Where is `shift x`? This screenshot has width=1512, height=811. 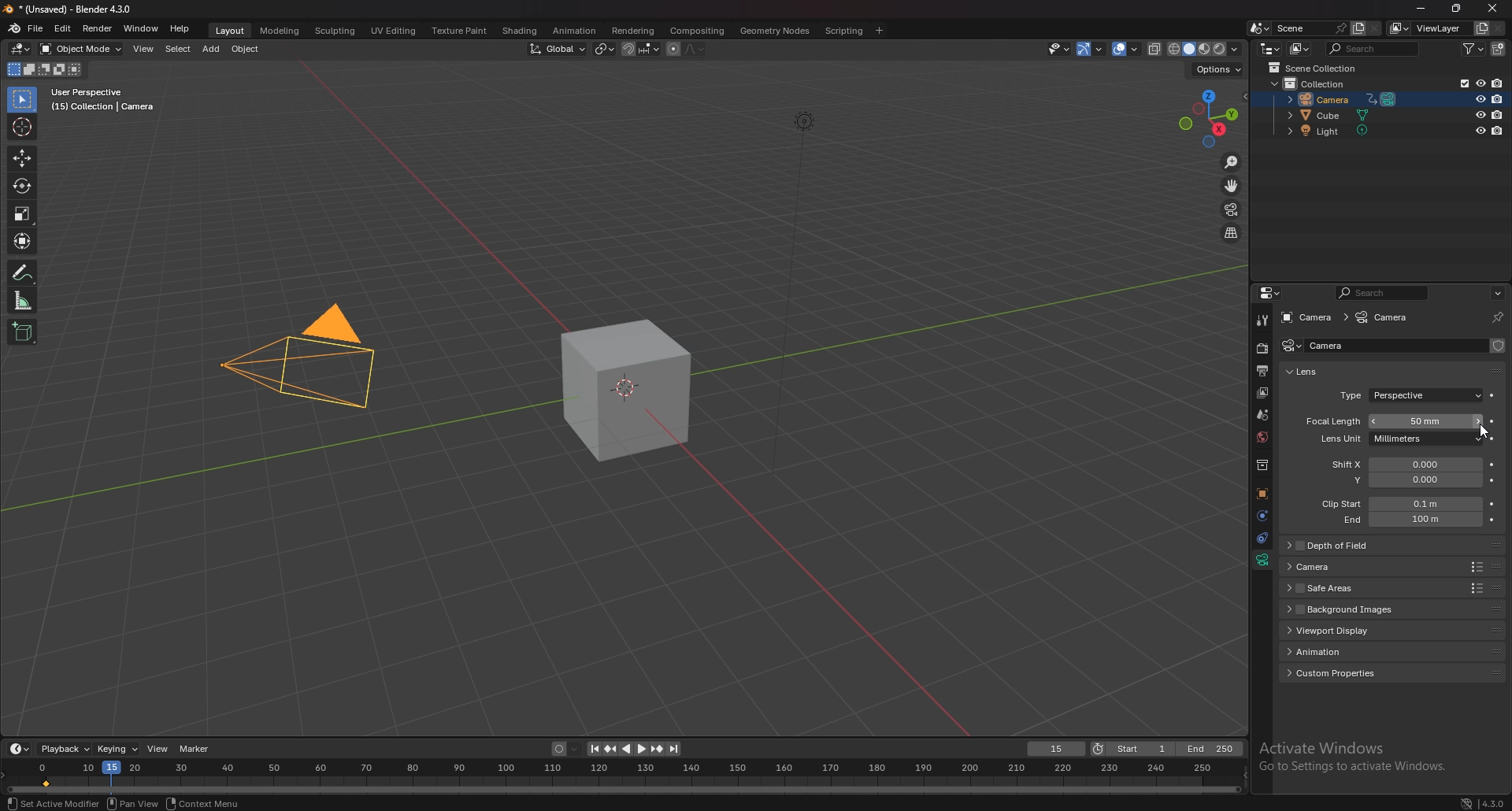 shift x is located at coordinates (1398, 465).